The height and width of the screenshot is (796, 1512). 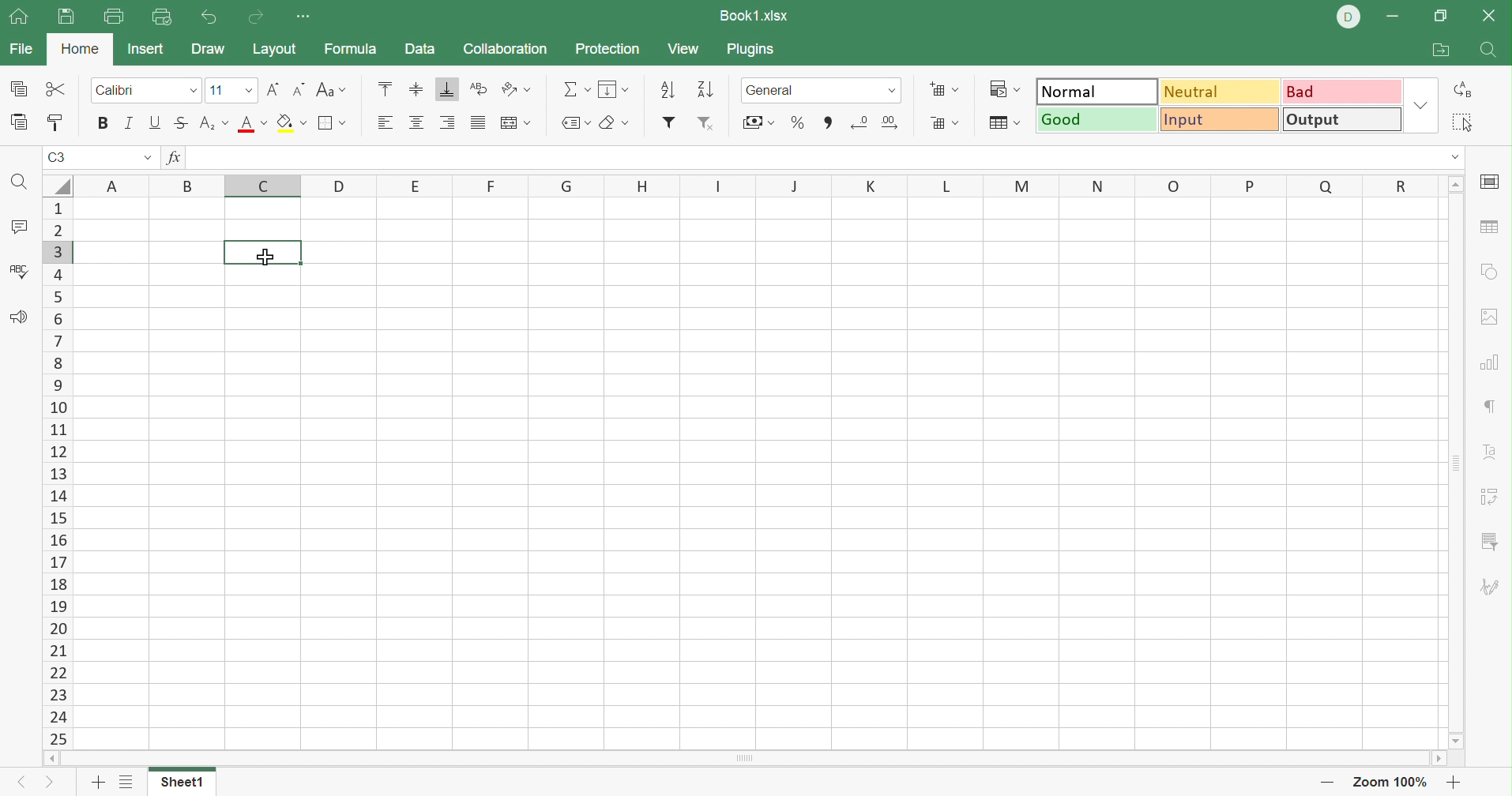 I want to click on Find, so click(x=1488, y=51).